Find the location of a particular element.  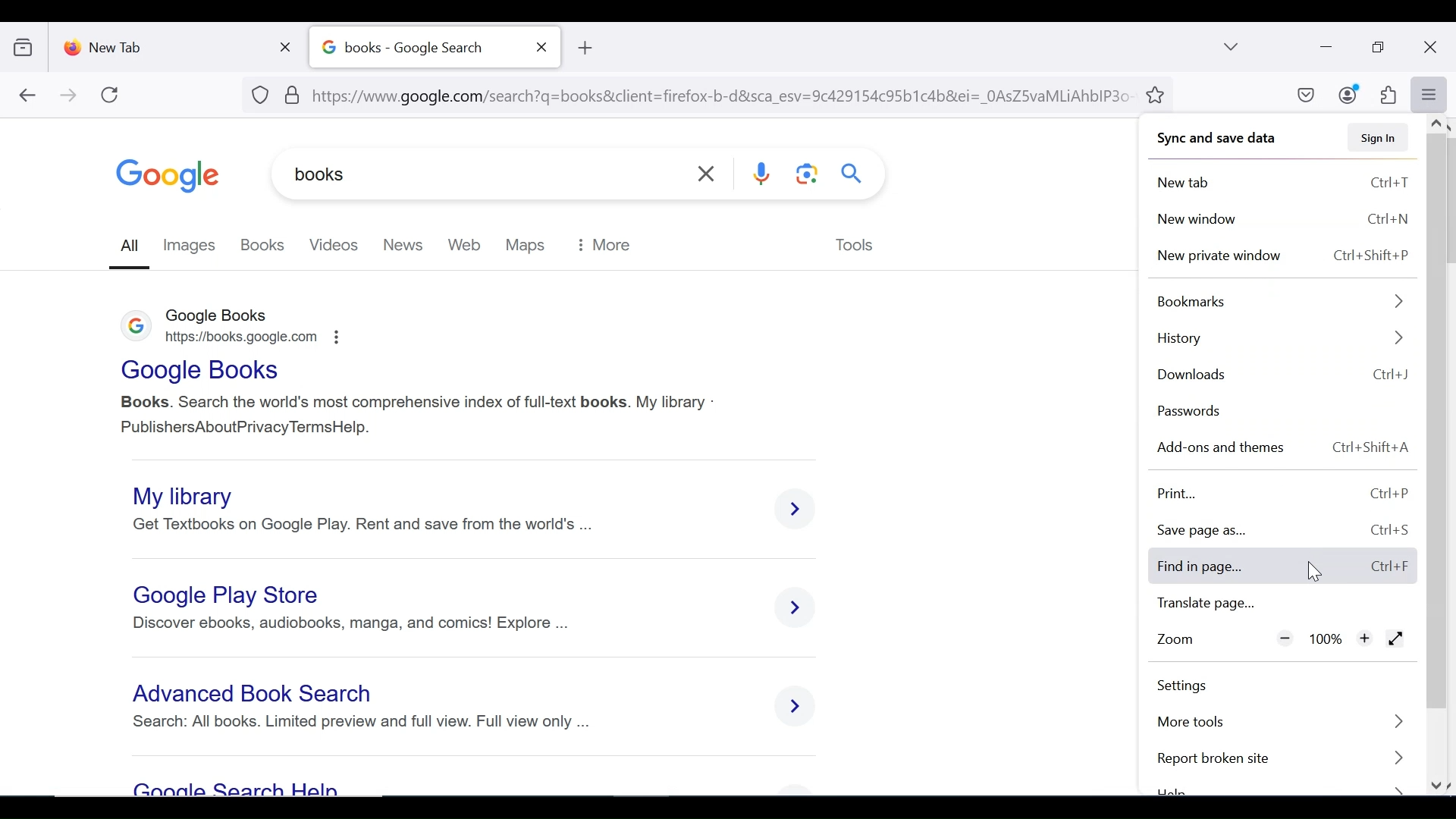

refresh is located at coordinates (111, 95).